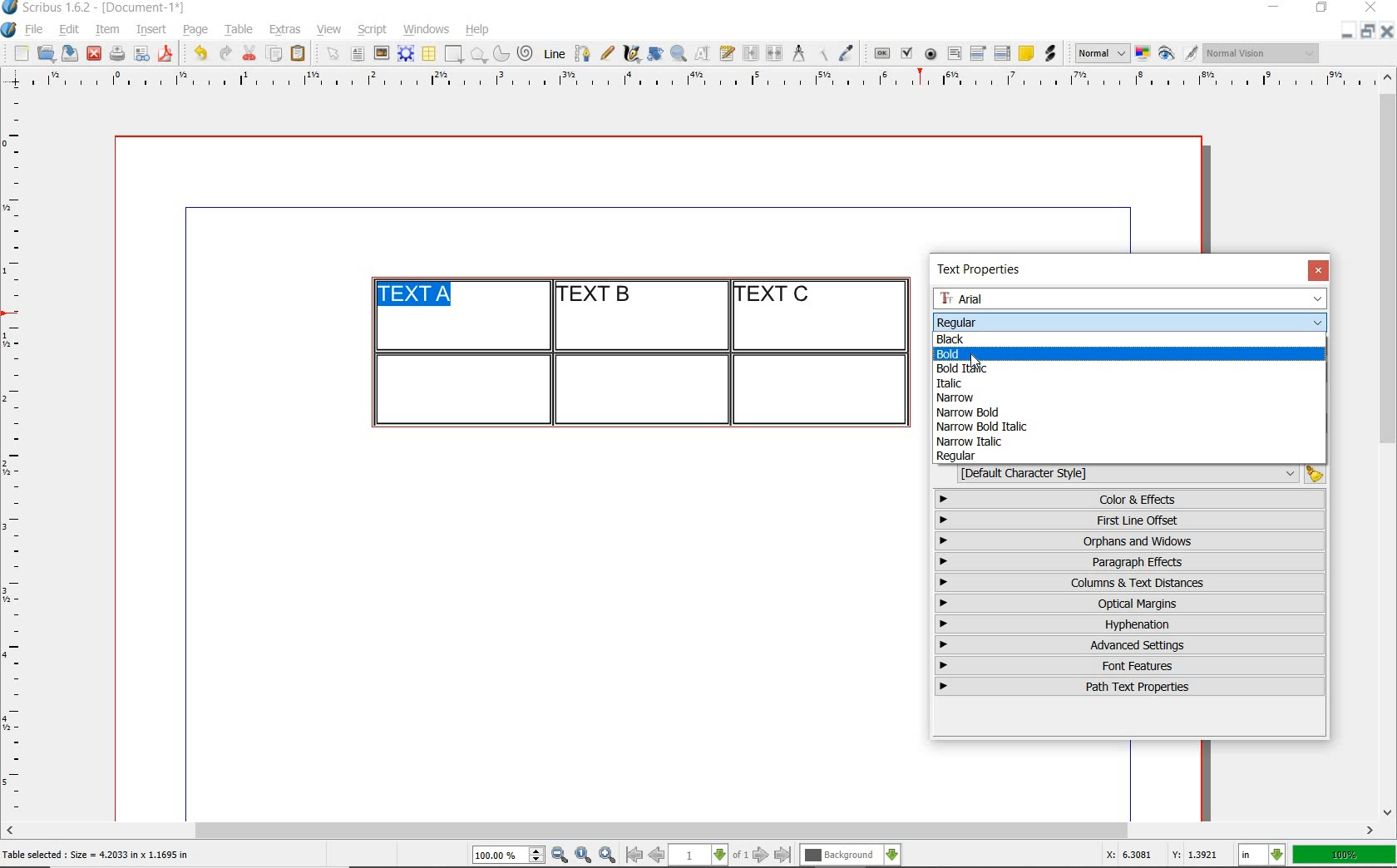 This screenshot has height=868, width=1397. What do you see at coordinates (36, 30) in the screenshot?
I see `file` at bounding box center [36, 30].